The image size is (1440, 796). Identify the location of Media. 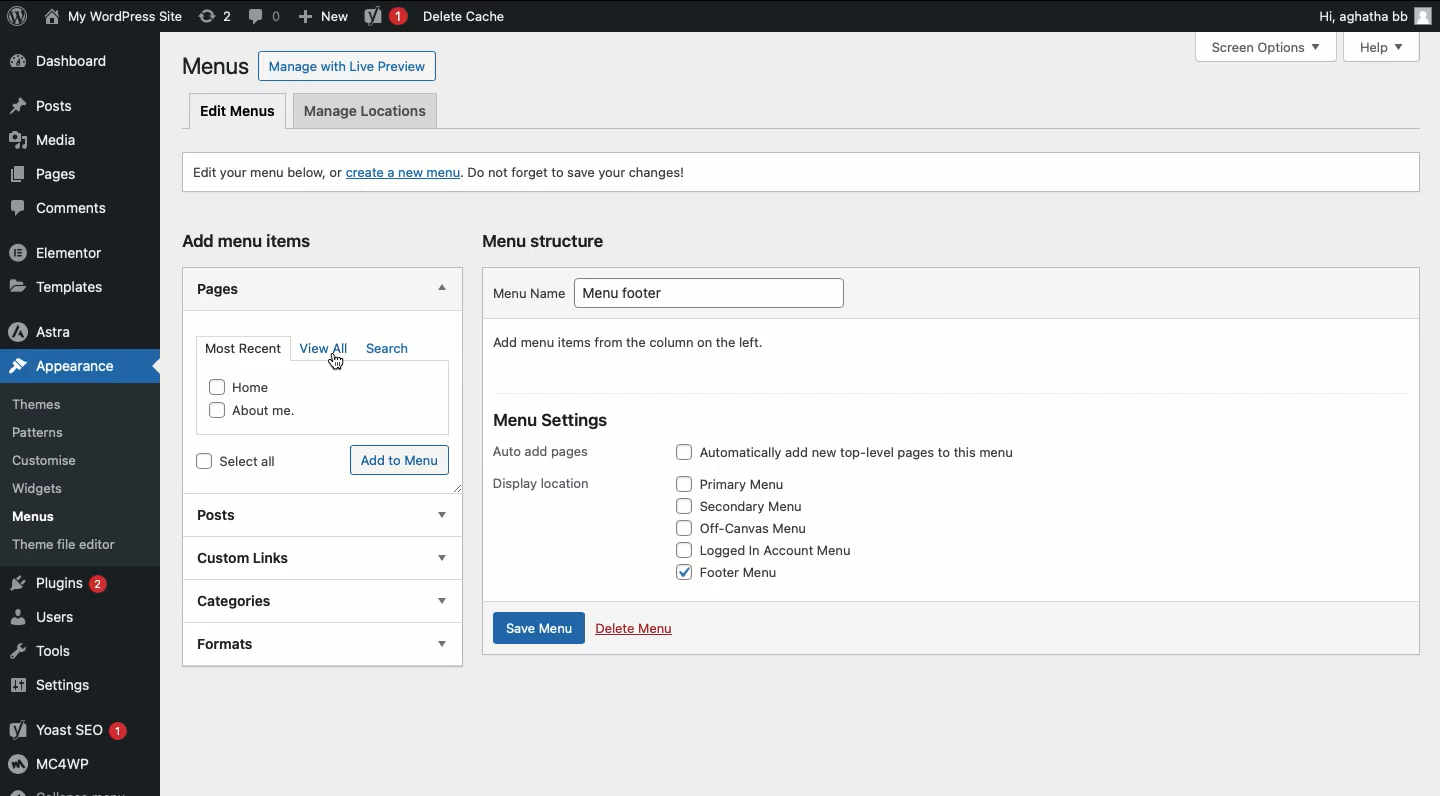
(54, 145).